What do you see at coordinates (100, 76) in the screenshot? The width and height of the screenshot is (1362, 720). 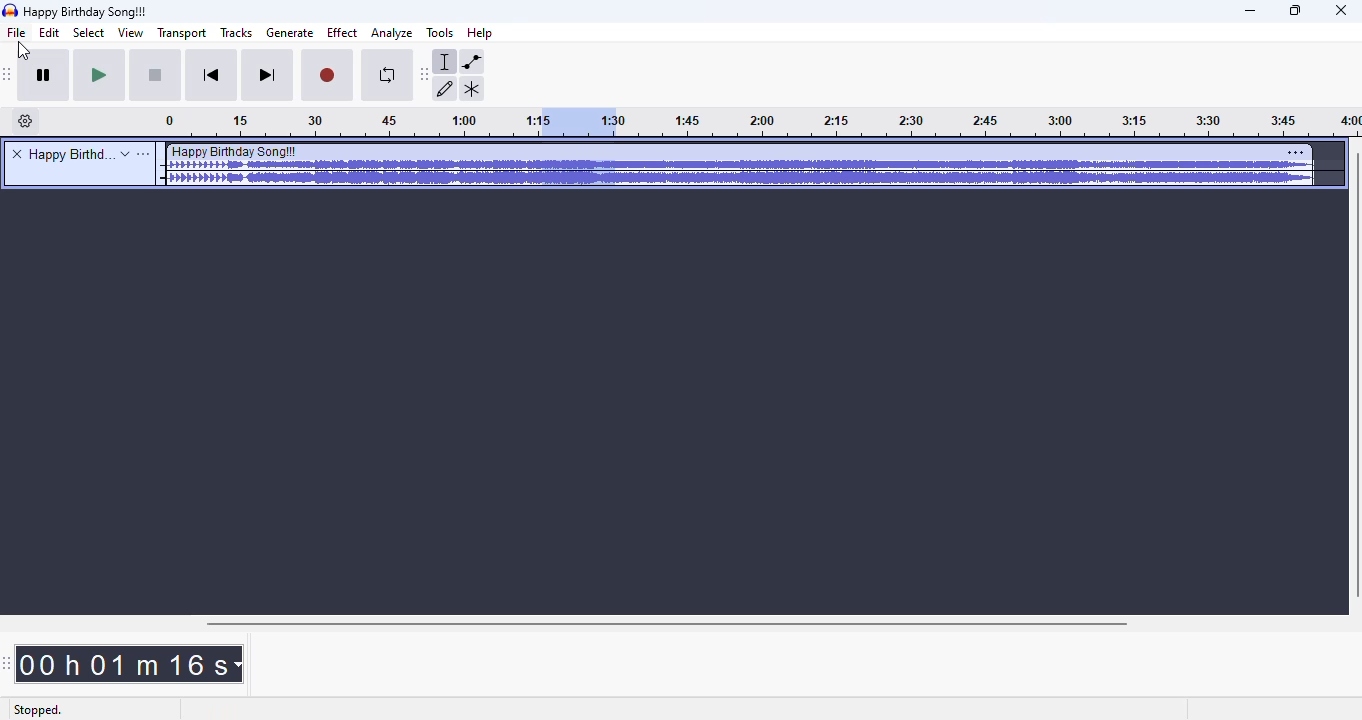 I see `play` at bounding box center [100, 76].